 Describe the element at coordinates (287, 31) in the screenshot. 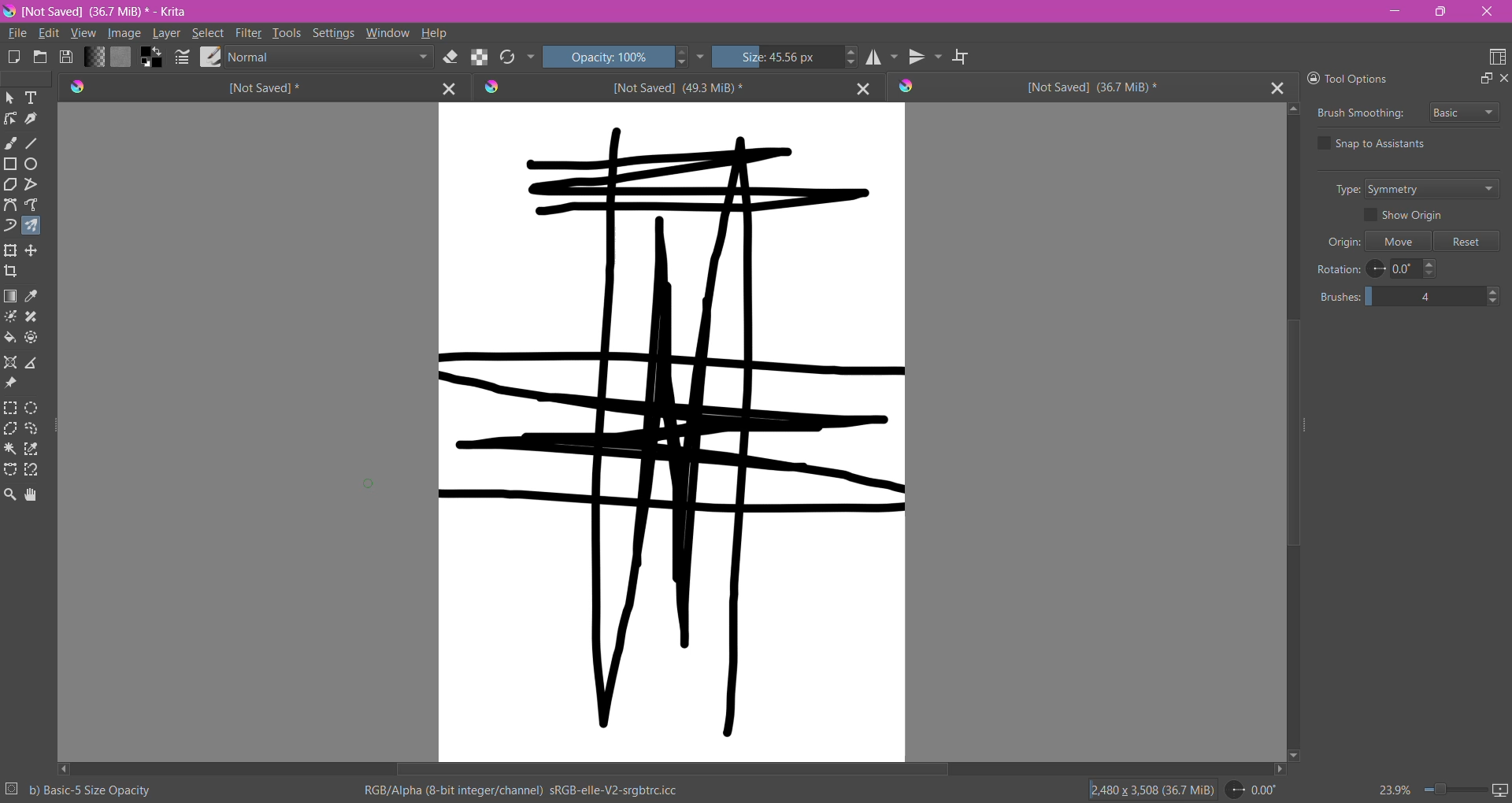

I see `Tools` at that location.